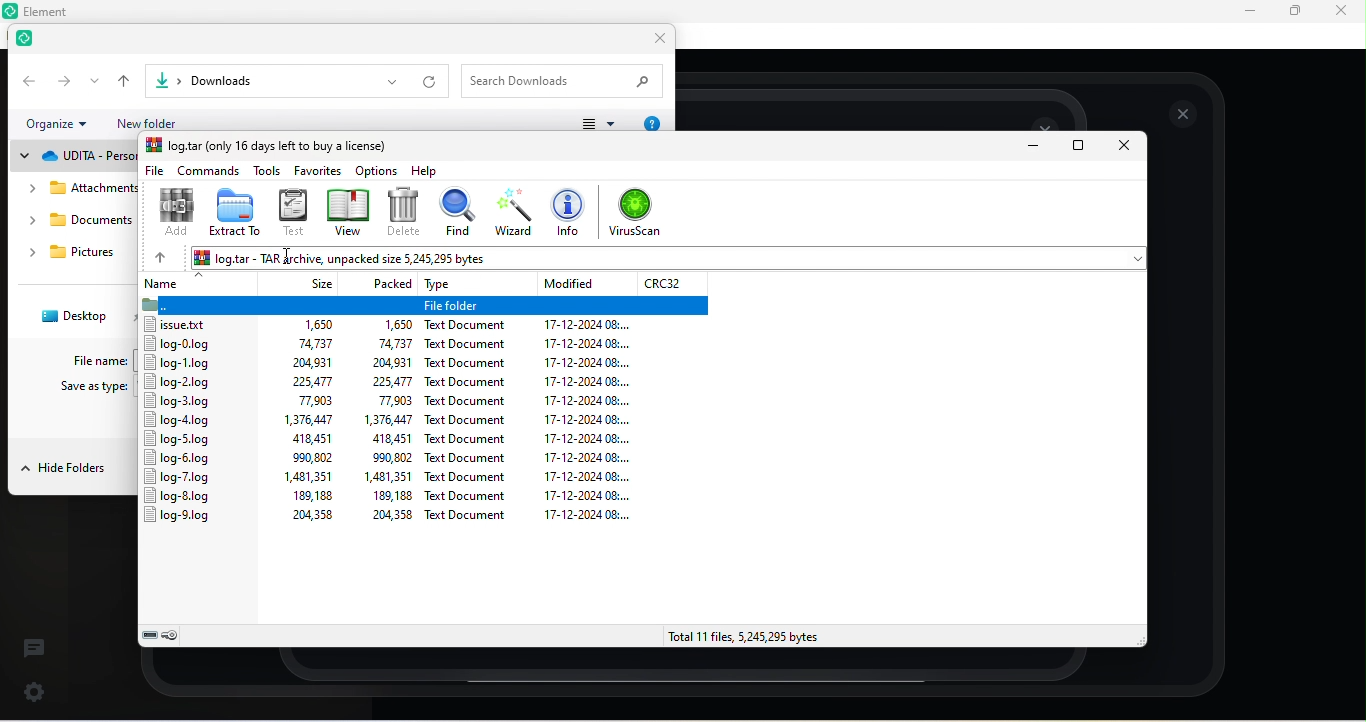 The width and height of the screenshot is (1366, 722). I want to click on file name, so click(99, 360).